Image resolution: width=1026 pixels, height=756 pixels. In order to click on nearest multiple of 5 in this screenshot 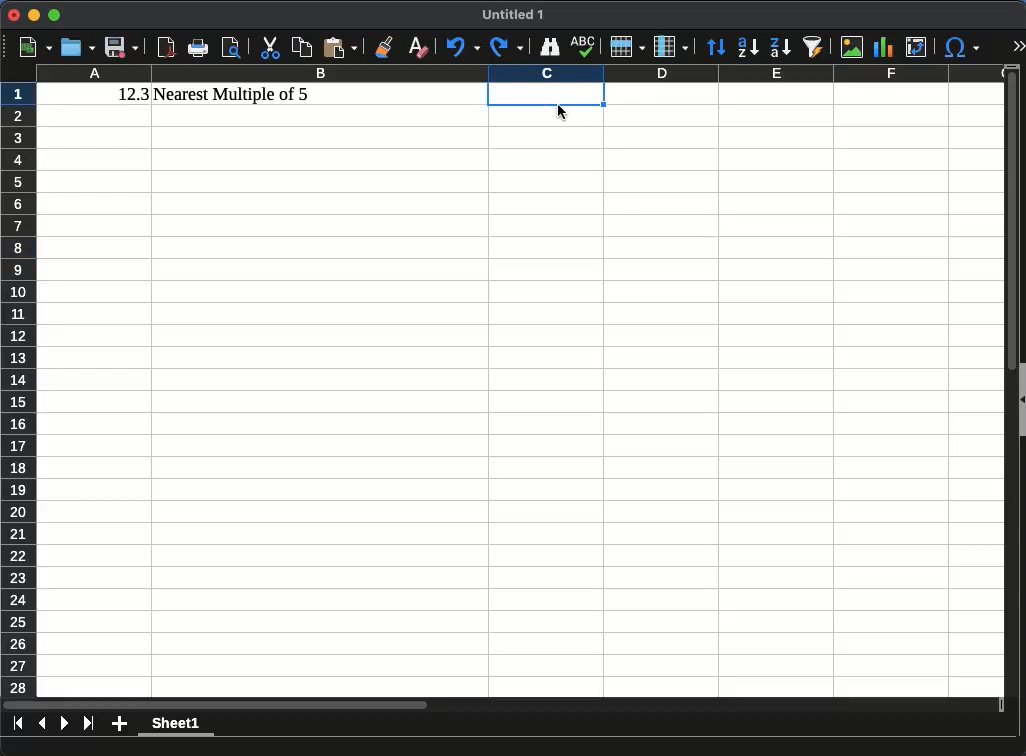, I will do `click(233, 95)`.